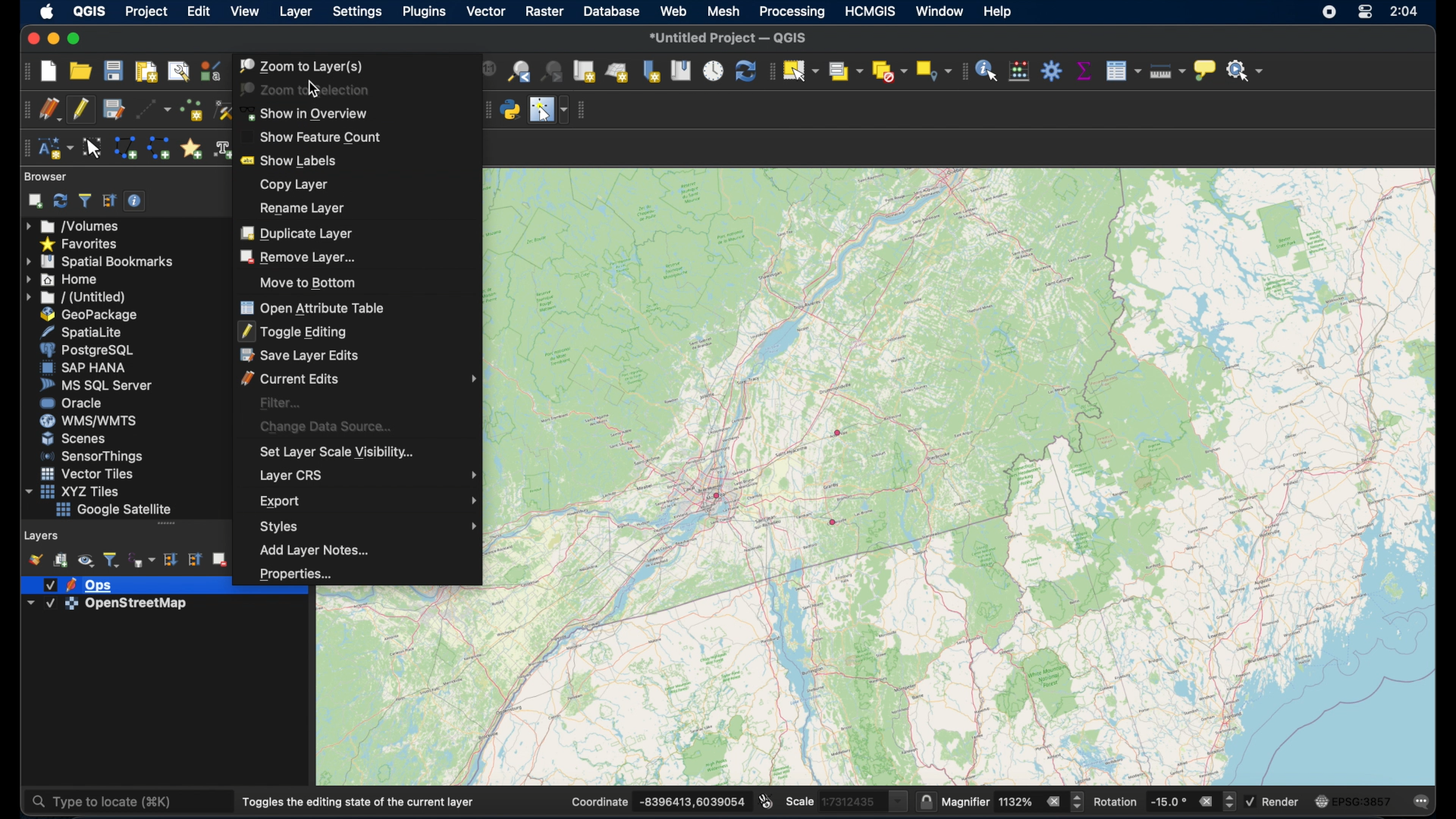  I want to click on style manager, so click(210, 71).